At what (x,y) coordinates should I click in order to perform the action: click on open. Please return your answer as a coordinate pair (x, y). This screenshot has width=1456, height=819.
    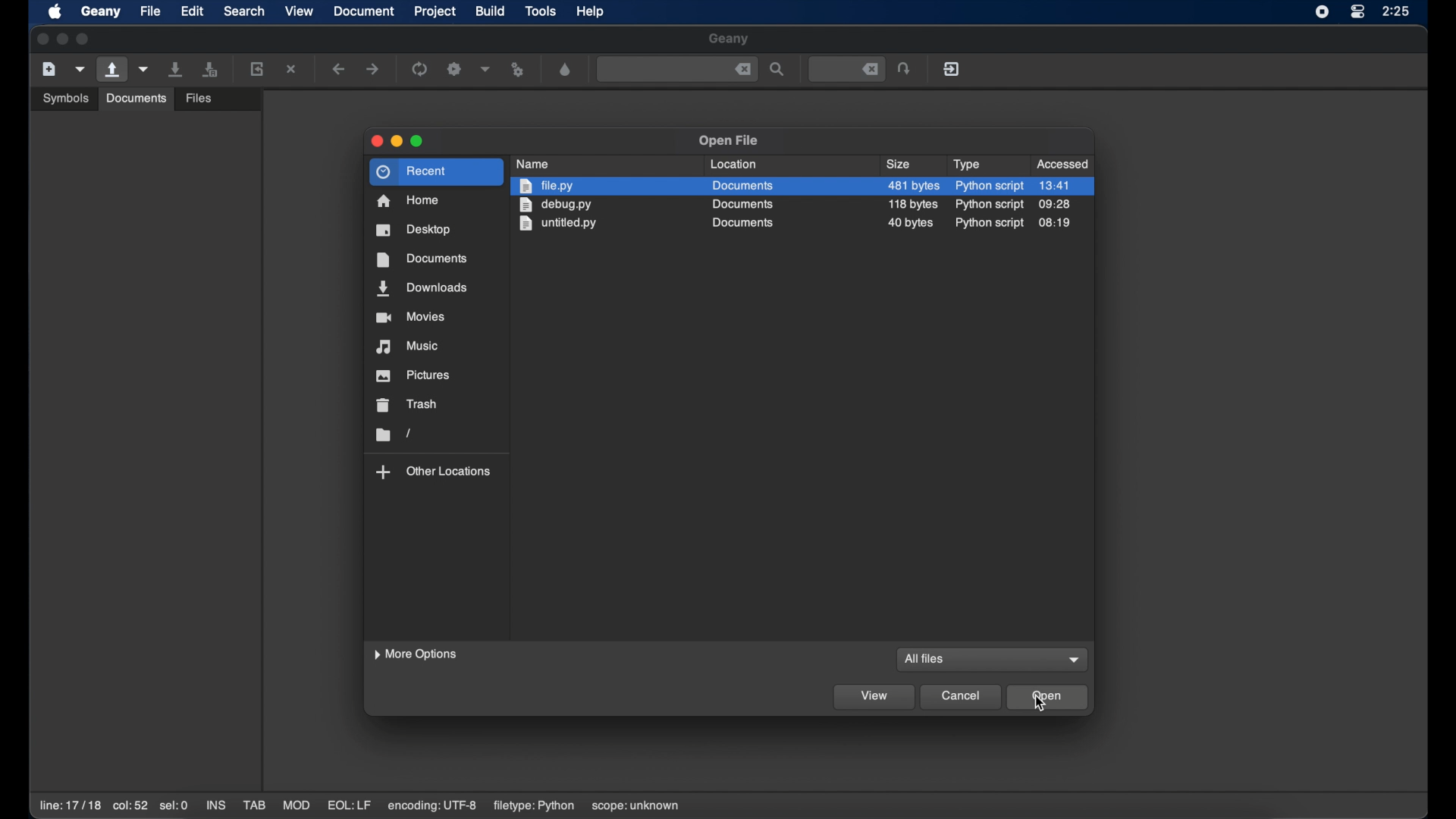
    Looking at the image, I should click on (1046, 697).